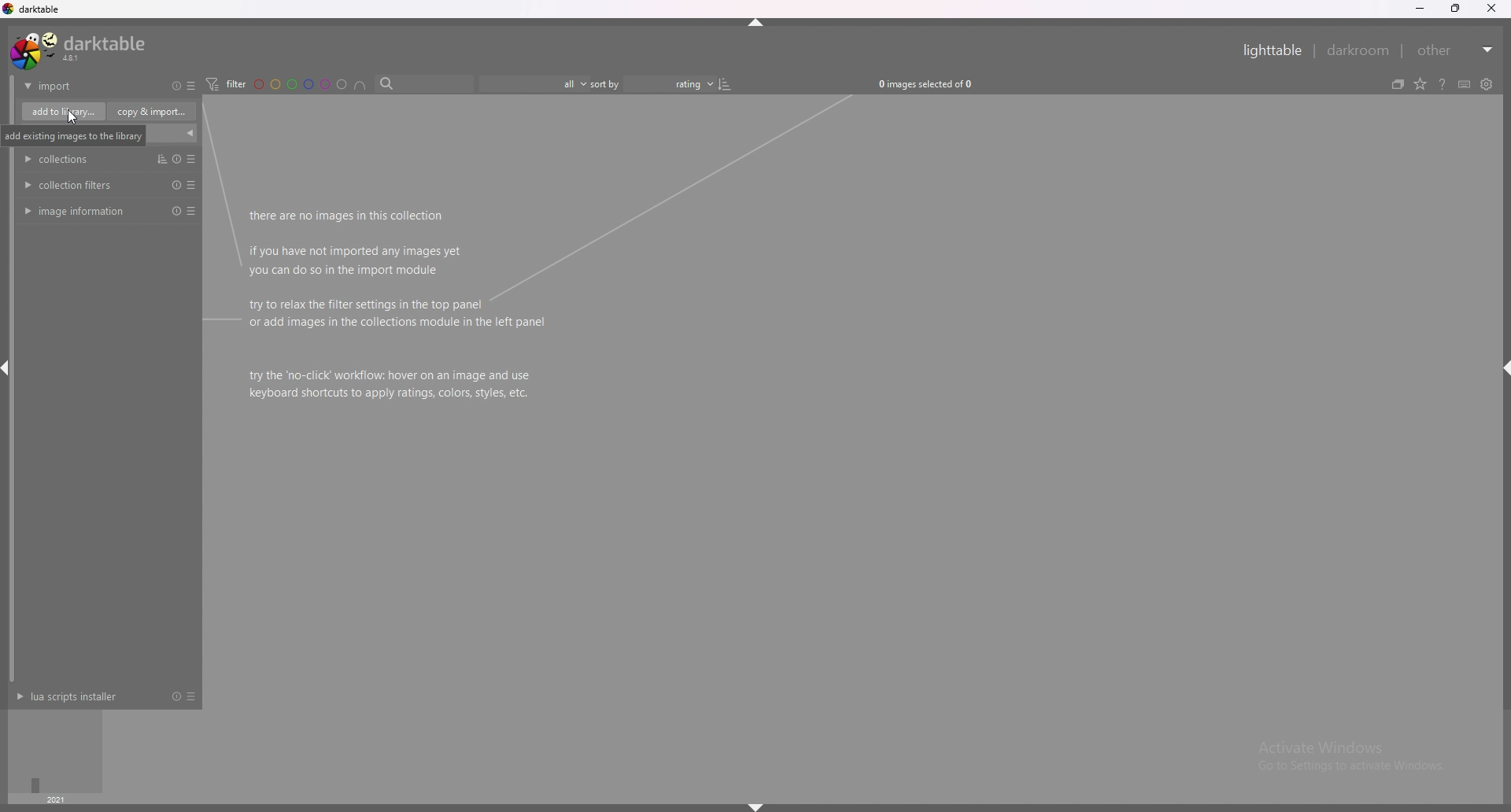  What do you see at coordinates (190, 86) in the screenshot?
I see `presets` at bounding box center [190, 86].